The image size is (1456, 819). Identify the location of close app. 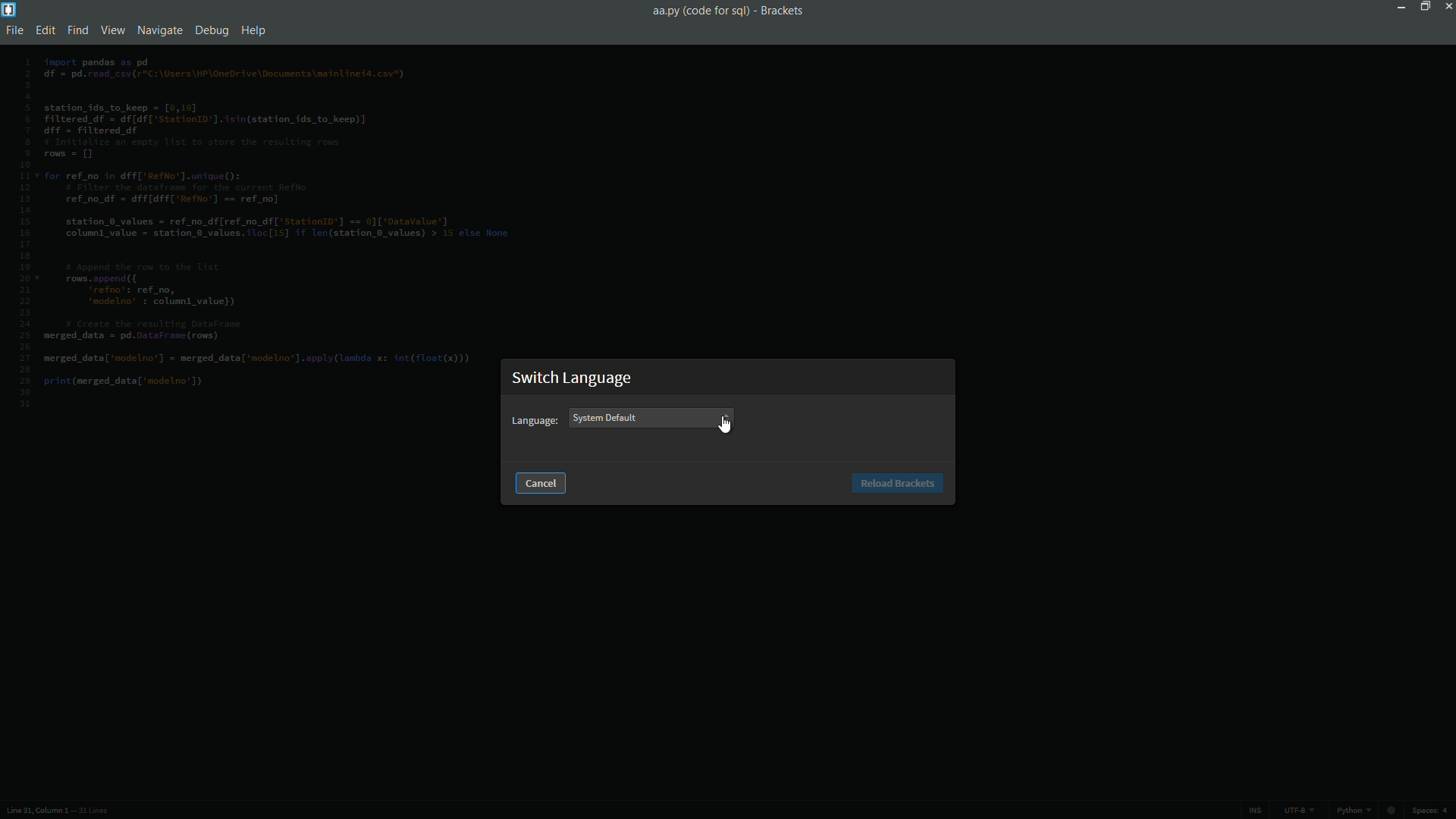
(1447, 6).